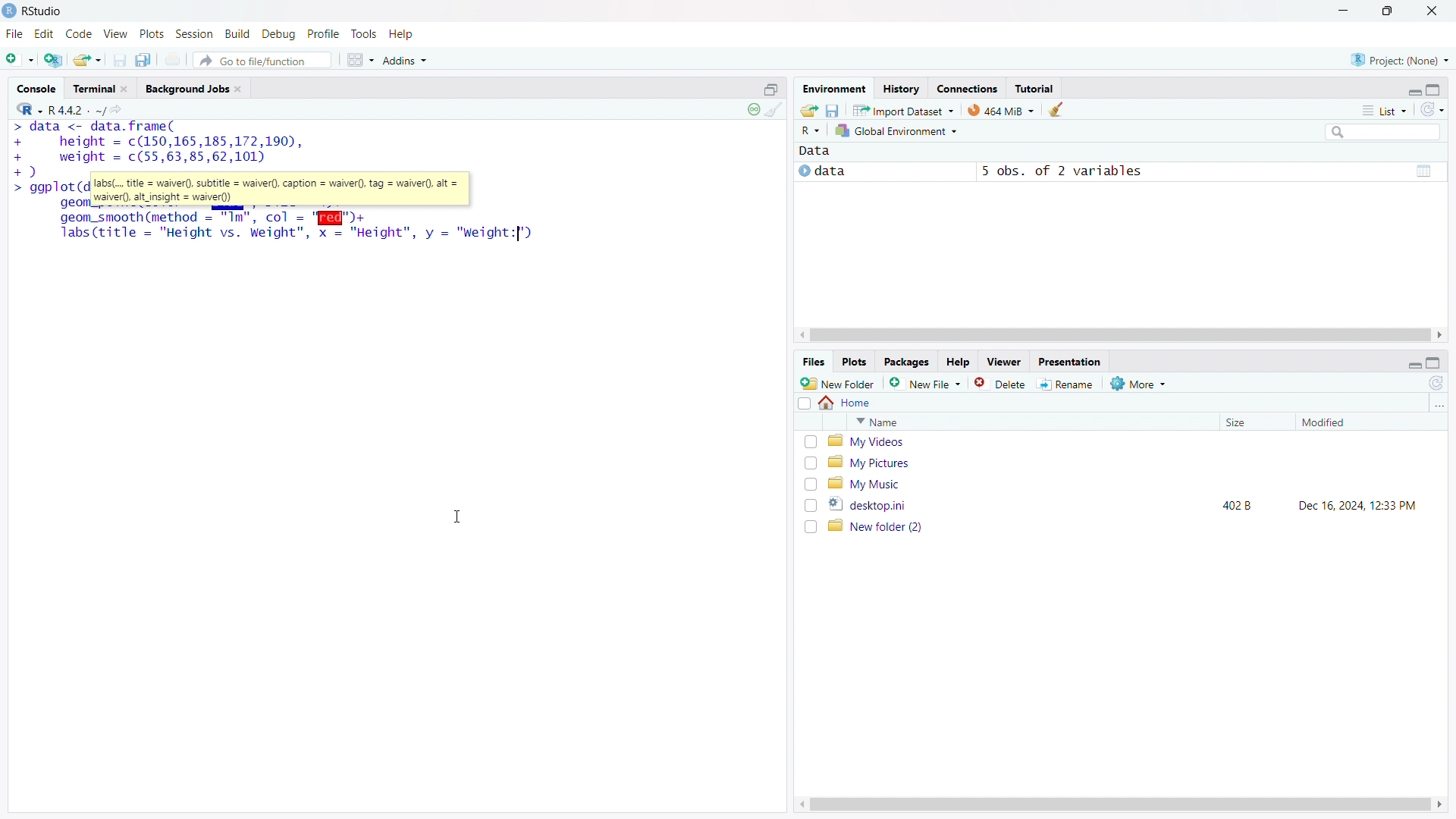 This screenshot has width=1456, height=819. I want to click on go to file/function, so click(262, 60).